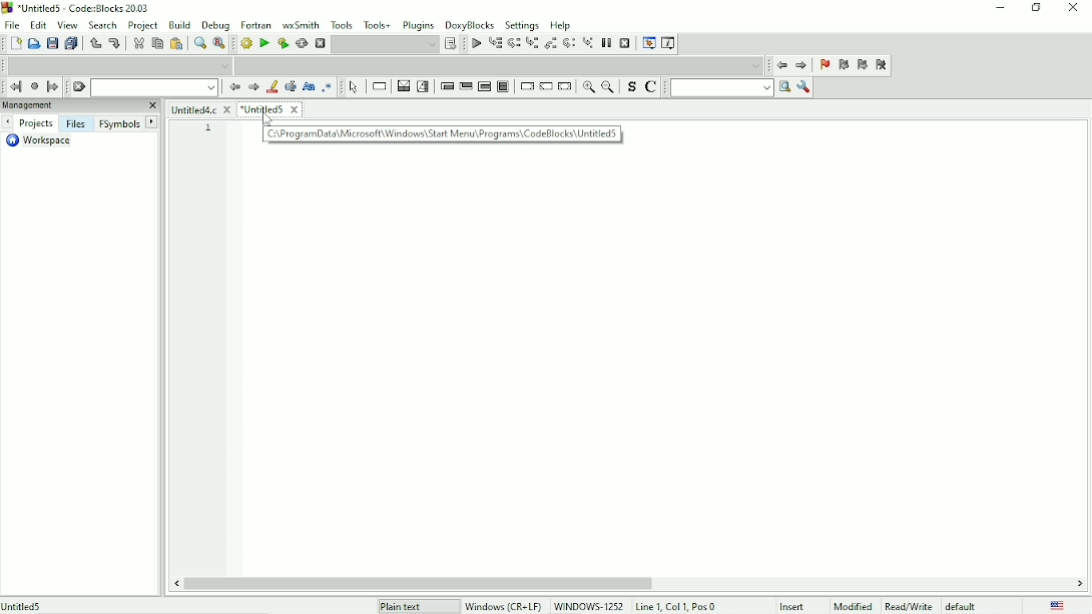  Describe the element at coordinates (547, 607) in the screenshot. I see `Windows` at that location.